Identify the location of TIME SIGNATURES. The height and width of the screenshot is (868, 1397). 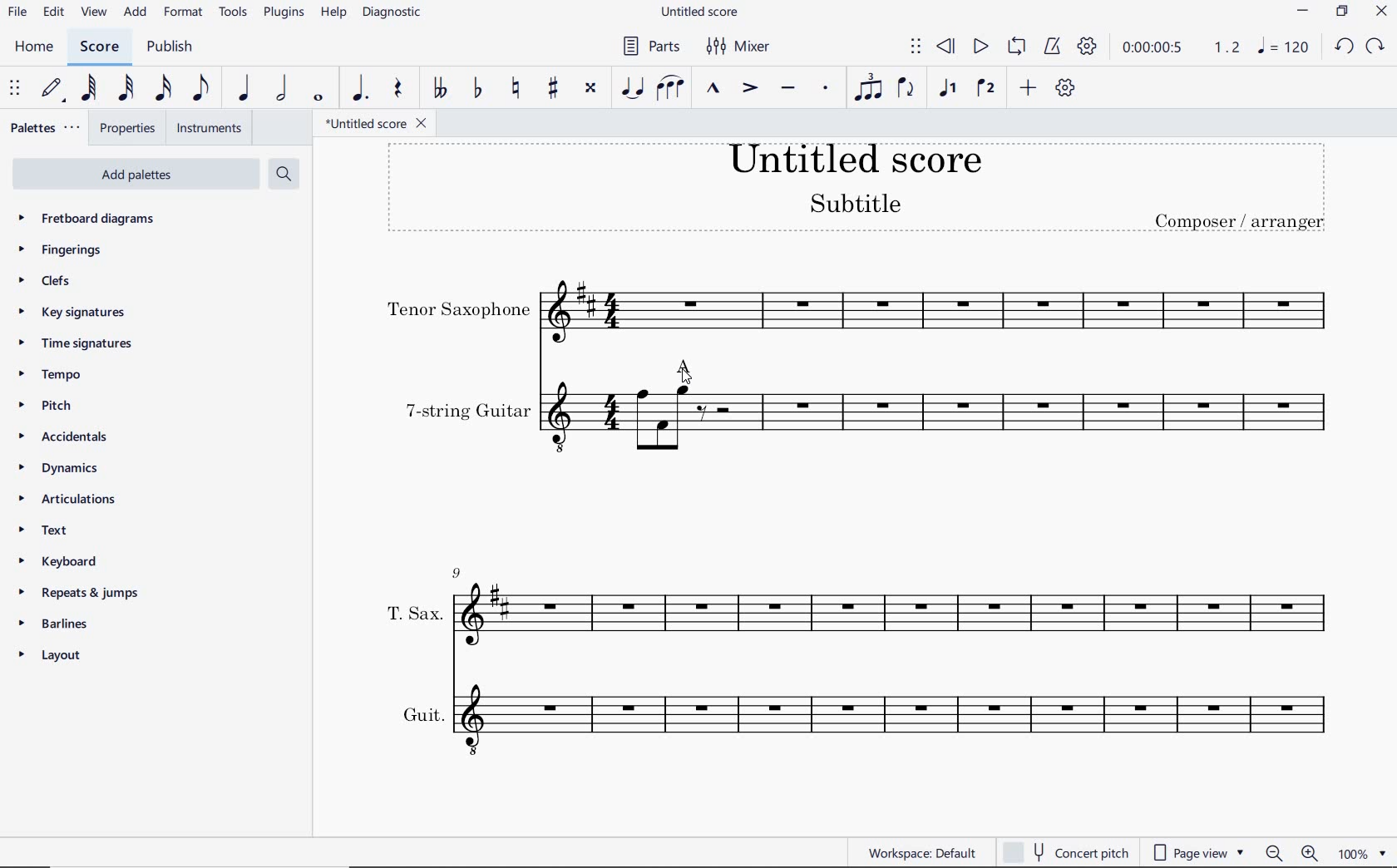
(88, 343).